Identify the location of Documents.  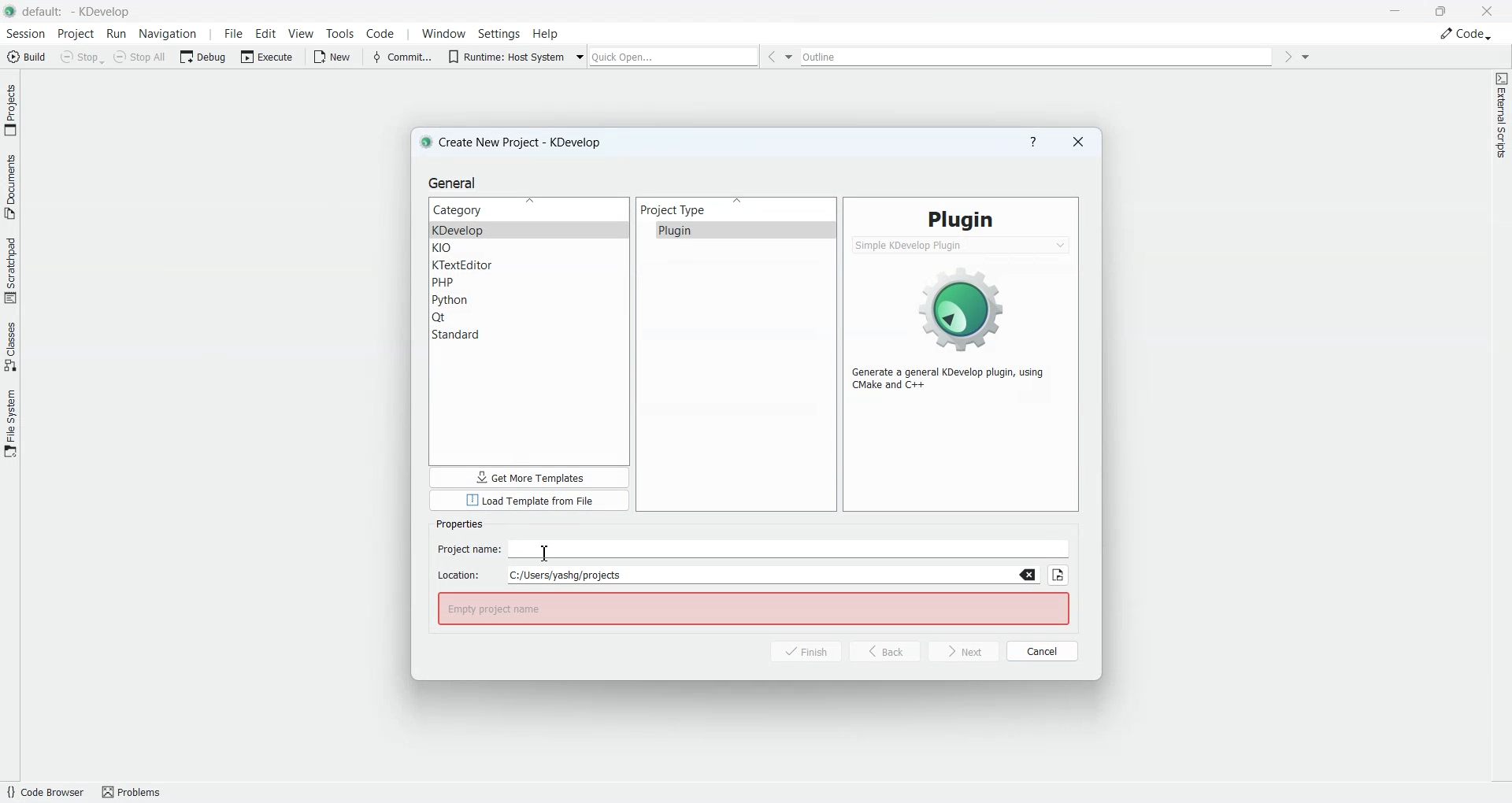
(10, 185).